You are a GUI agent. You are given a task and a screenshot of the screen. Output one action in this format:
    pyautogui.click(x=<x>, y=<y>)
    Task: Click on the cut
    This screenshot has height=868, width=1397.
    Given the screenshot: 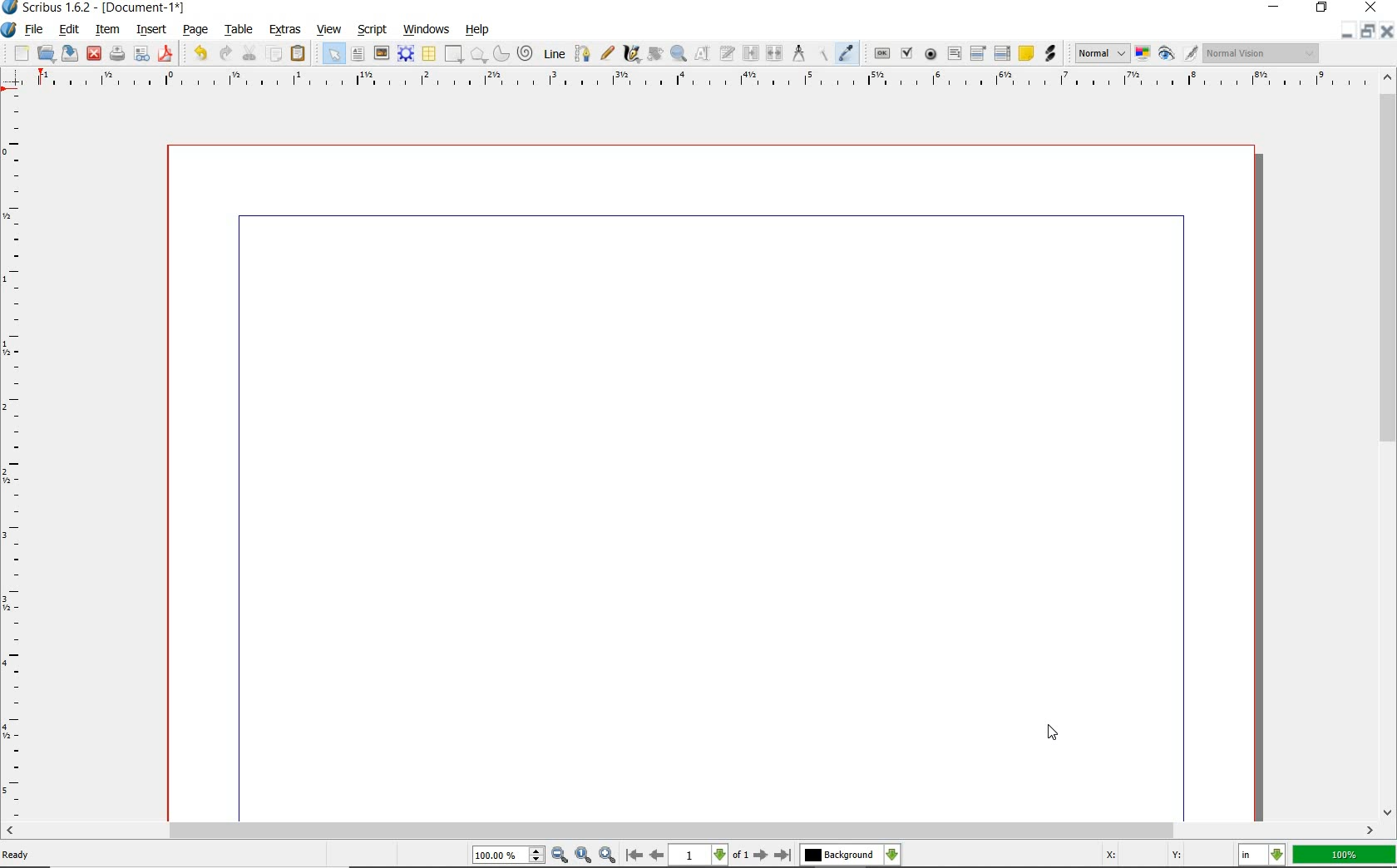 What is the action you would take?
    pyautogui.click(x=251, y=52)
    